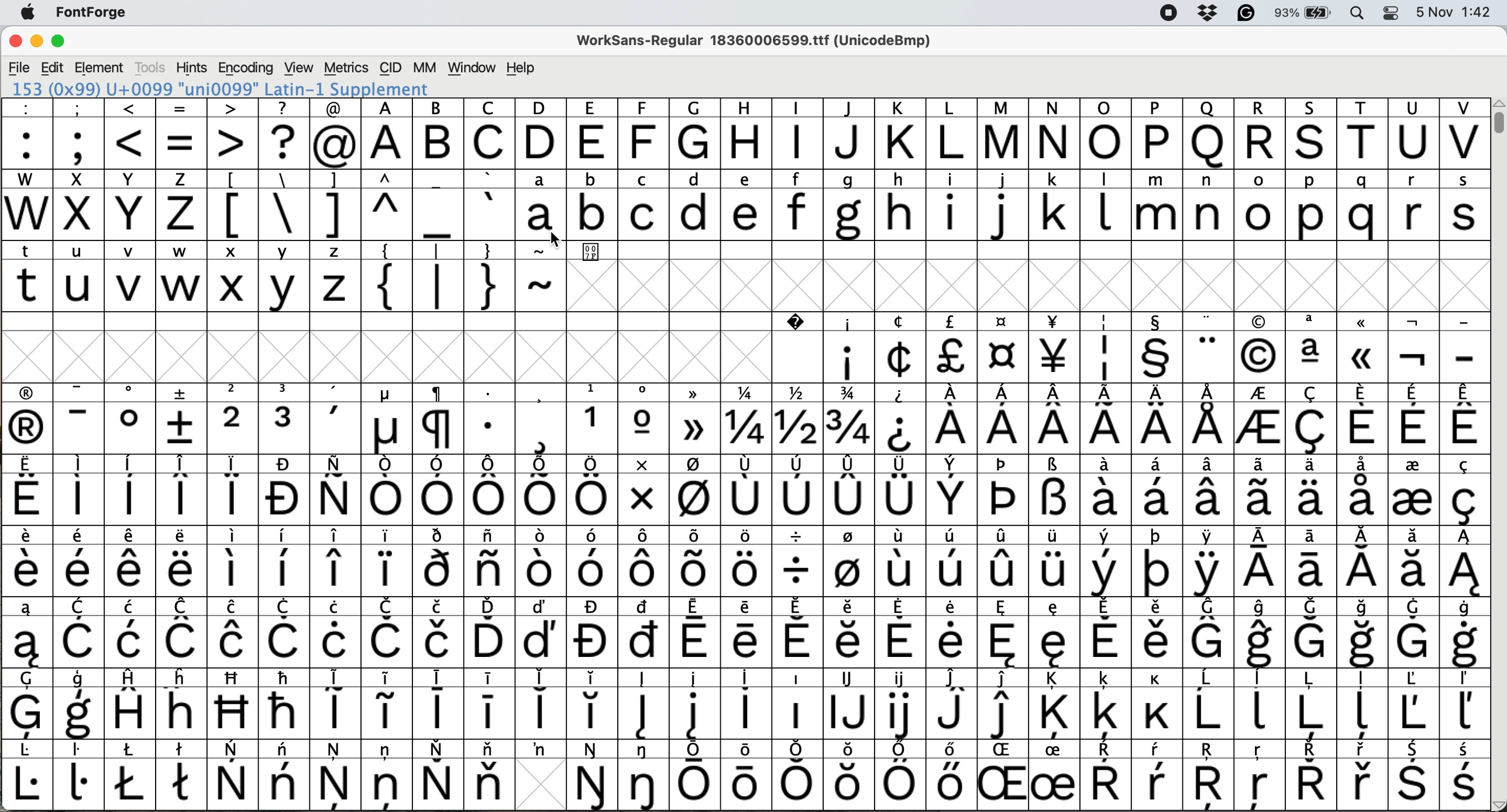 This screenshot has width=1507, height=812. What do you see at coordinates (1498, 117) in the screenshot?
I see `vertical scroll bar` at bounding box center [1498, 117].